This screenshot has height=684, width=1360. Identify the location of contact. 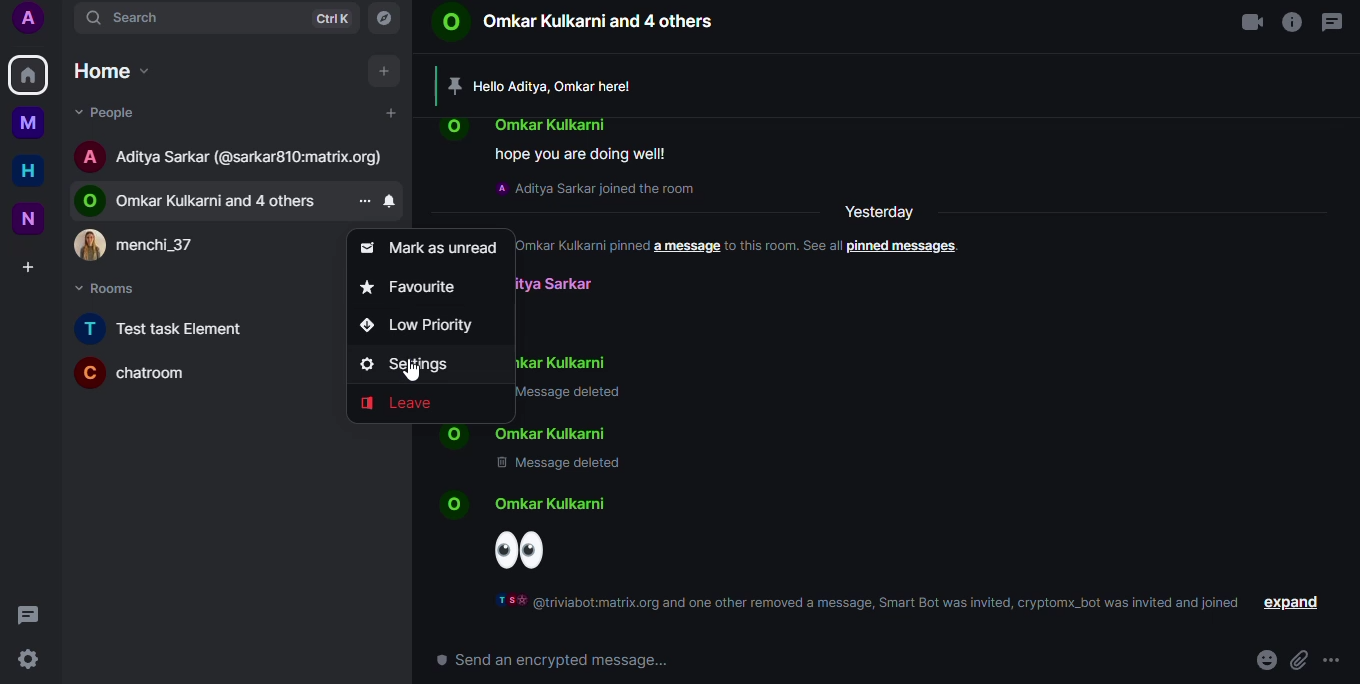
(203, 200).